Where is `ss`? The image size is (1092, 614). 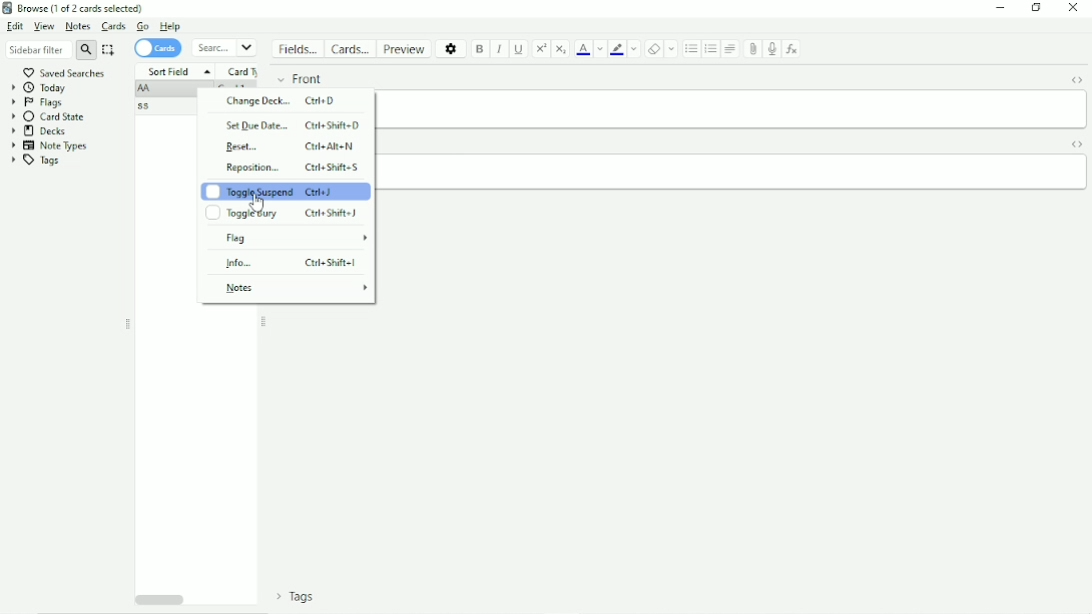 ss is located at coordinates (145, 106).